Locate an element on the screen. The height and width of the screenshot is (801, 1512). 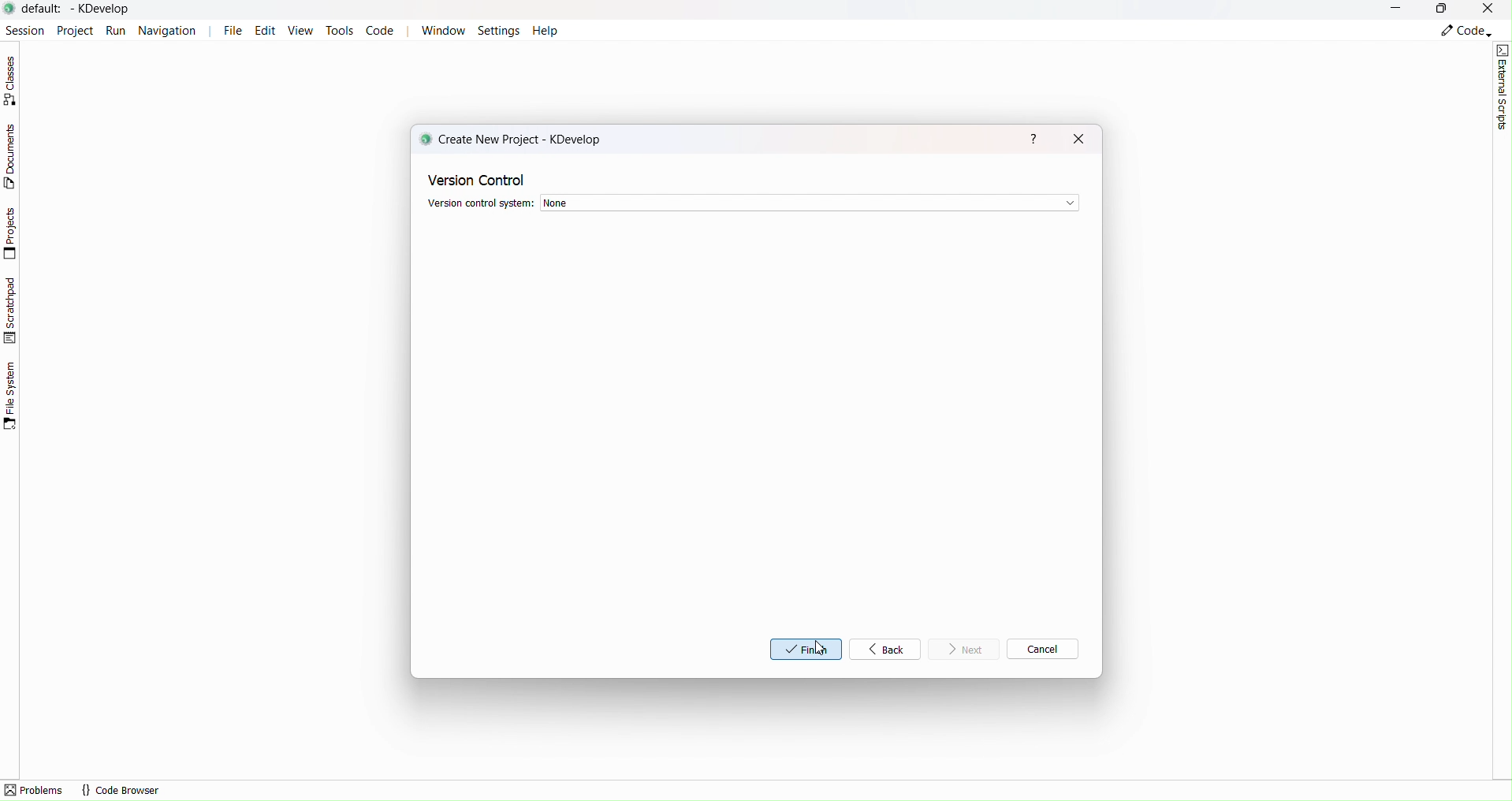
Window is located at coordinates (442, 30).